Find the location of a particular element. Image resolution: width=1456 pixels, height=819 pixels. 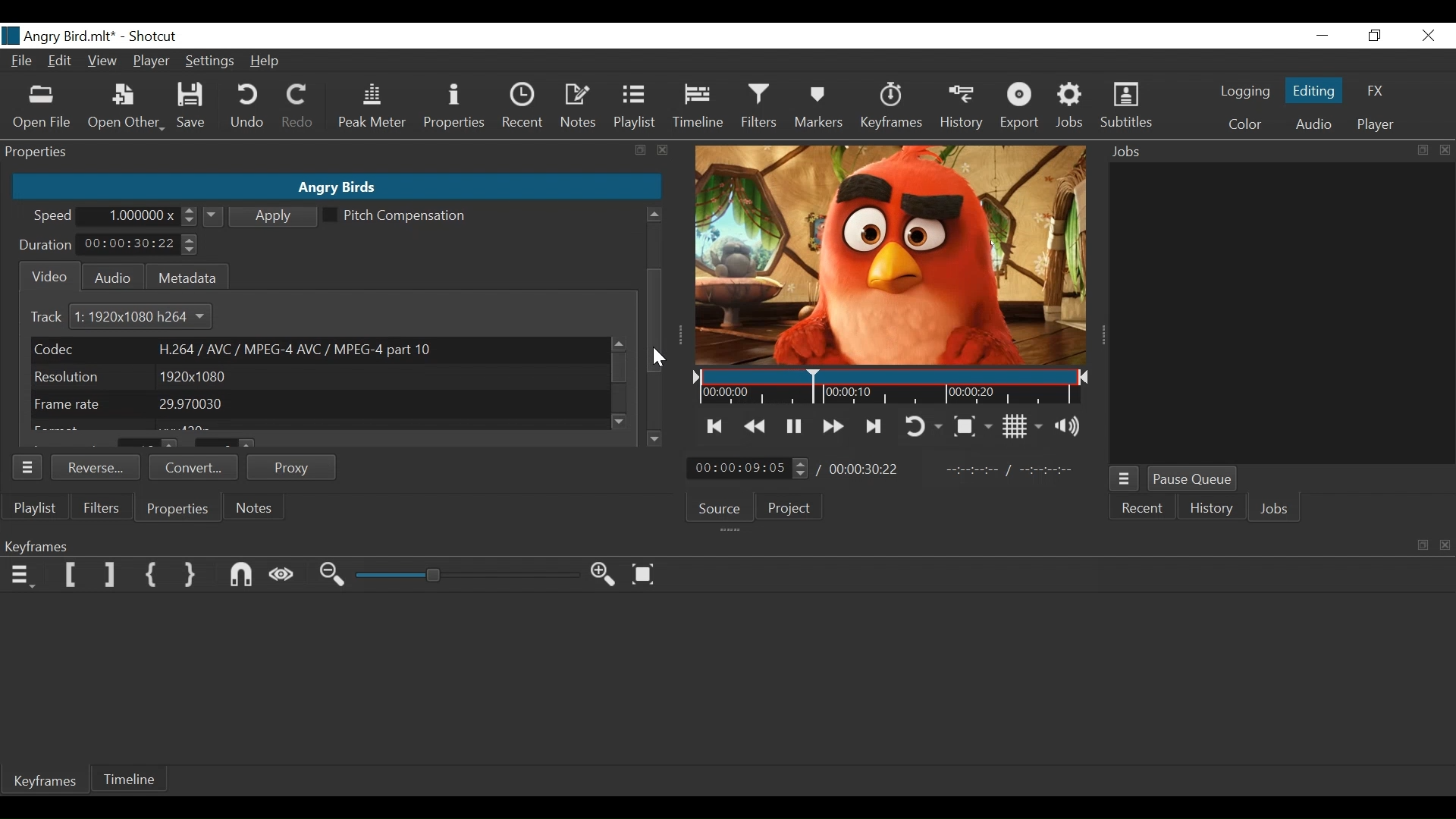

Set First Simple keyframe is located at coordinates (152, 576).